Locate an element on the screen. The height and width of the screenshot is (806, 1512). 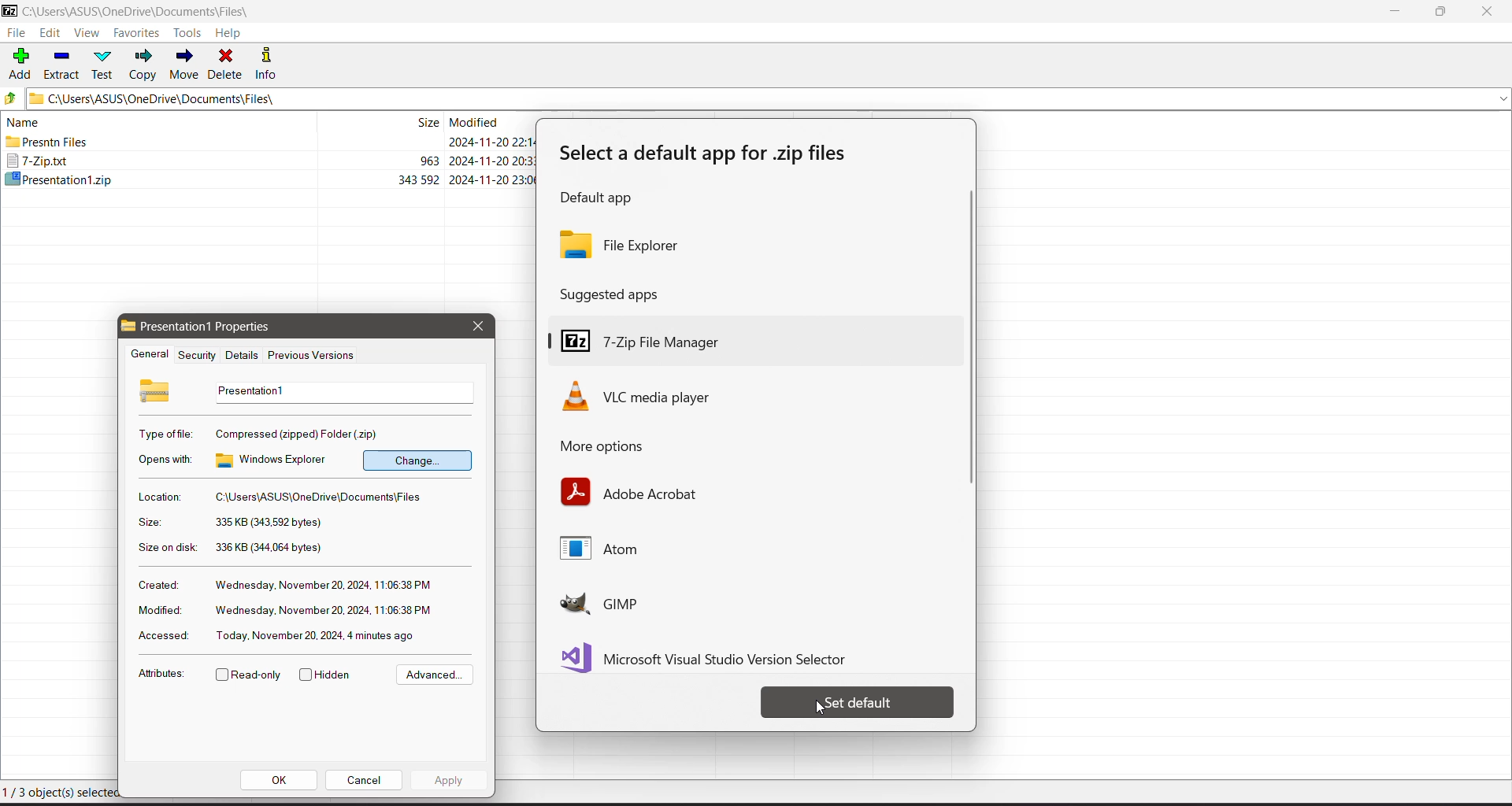
Help is located at coordinates (228, 33).